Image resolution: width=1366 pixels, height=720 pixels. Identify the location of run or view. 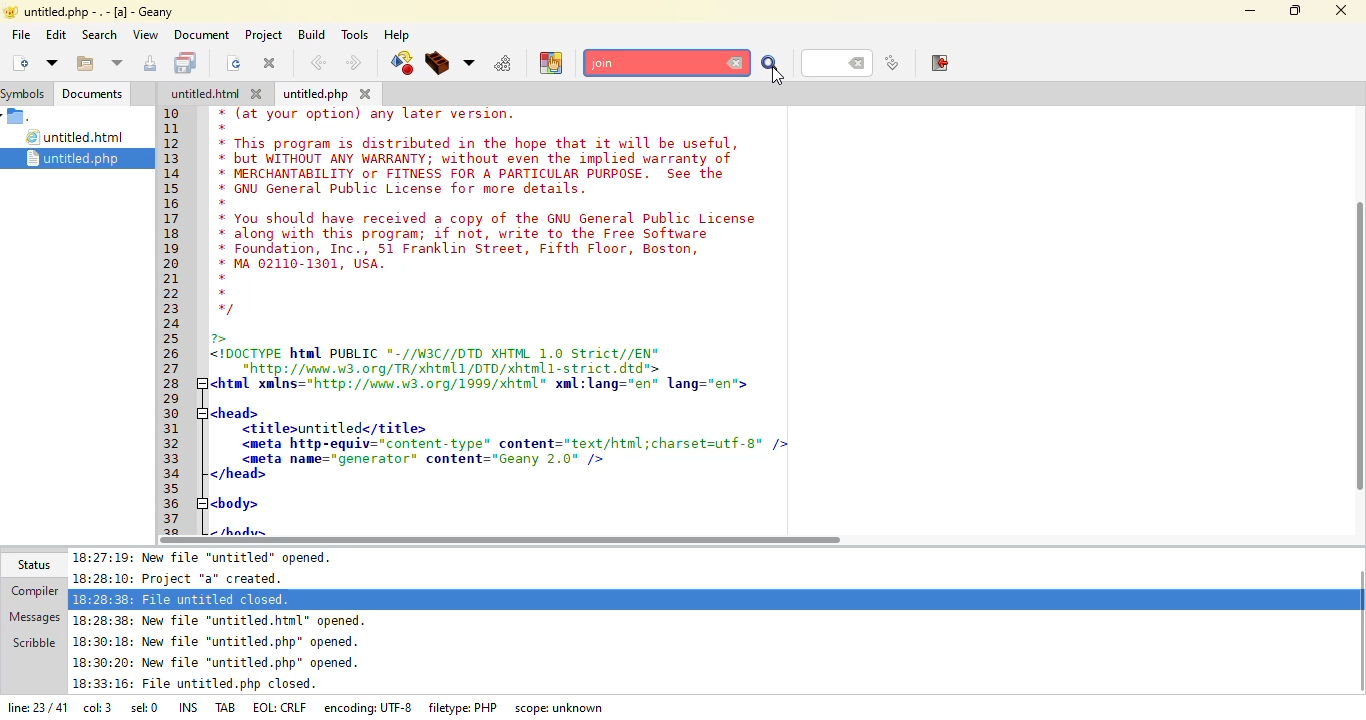
(504, 63).